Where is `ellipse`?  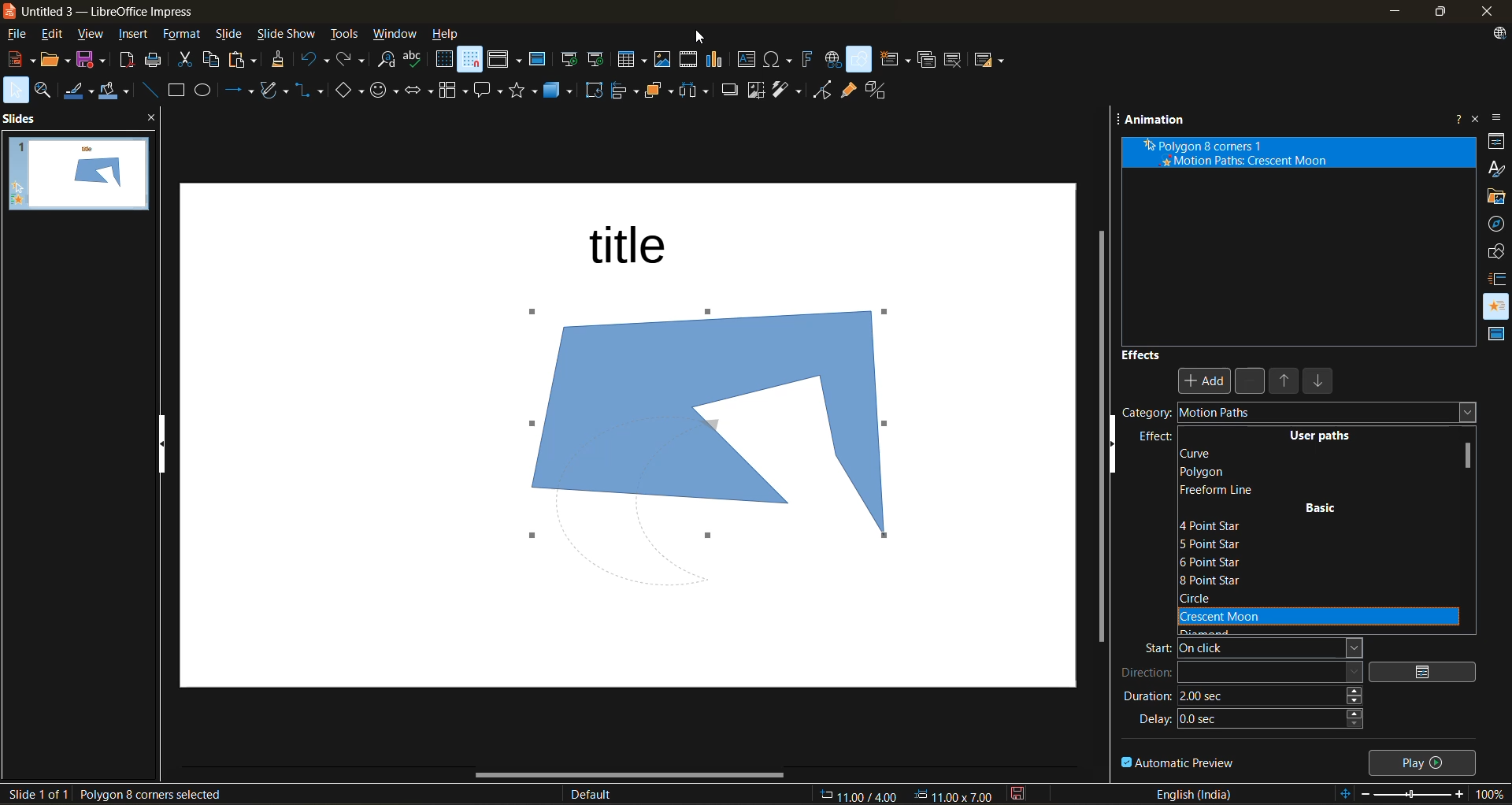
ellipse is located at coordinates (206, 91).